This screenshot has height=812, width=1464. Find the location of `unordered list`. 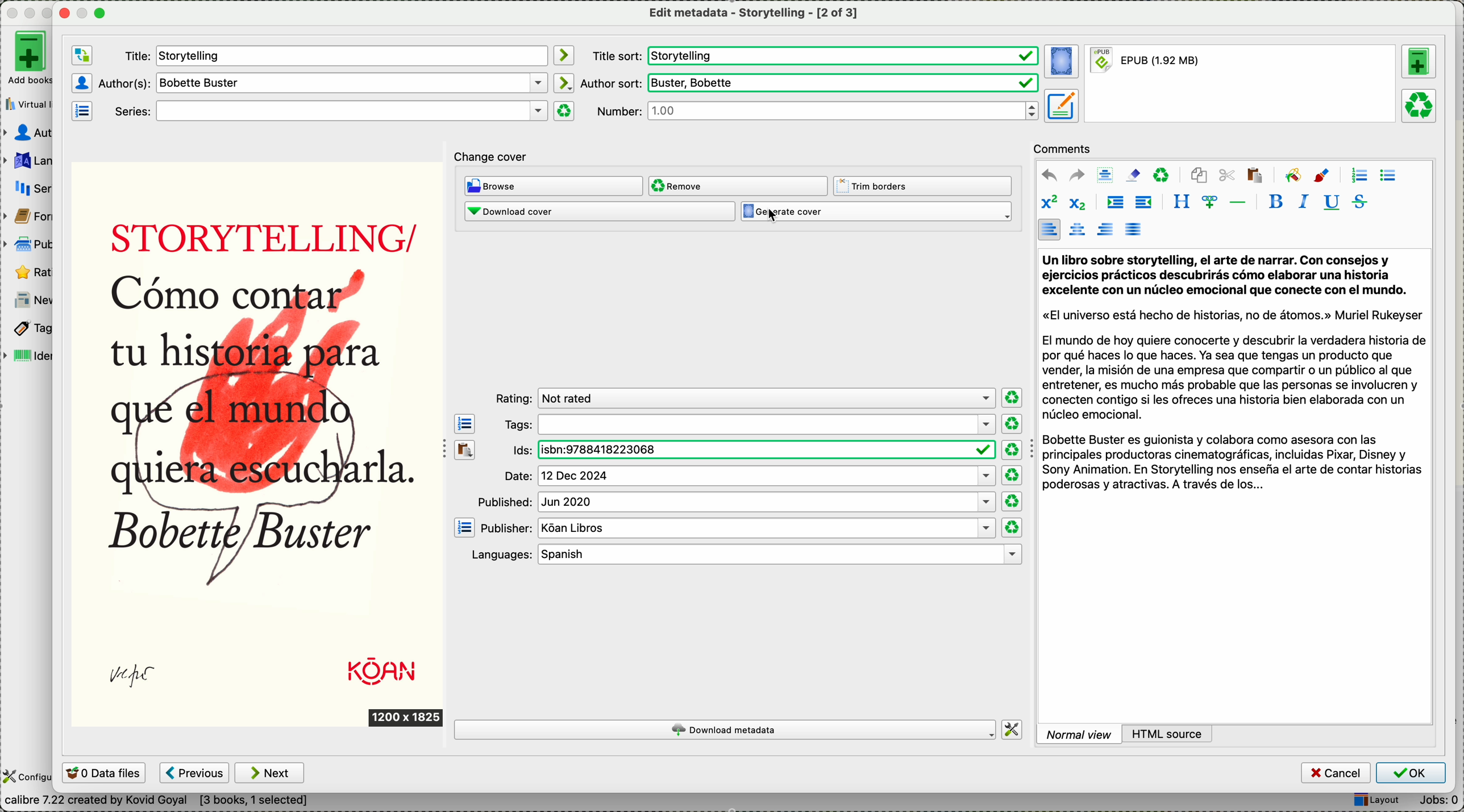

unordered list is located at coordinates (1388, 176).